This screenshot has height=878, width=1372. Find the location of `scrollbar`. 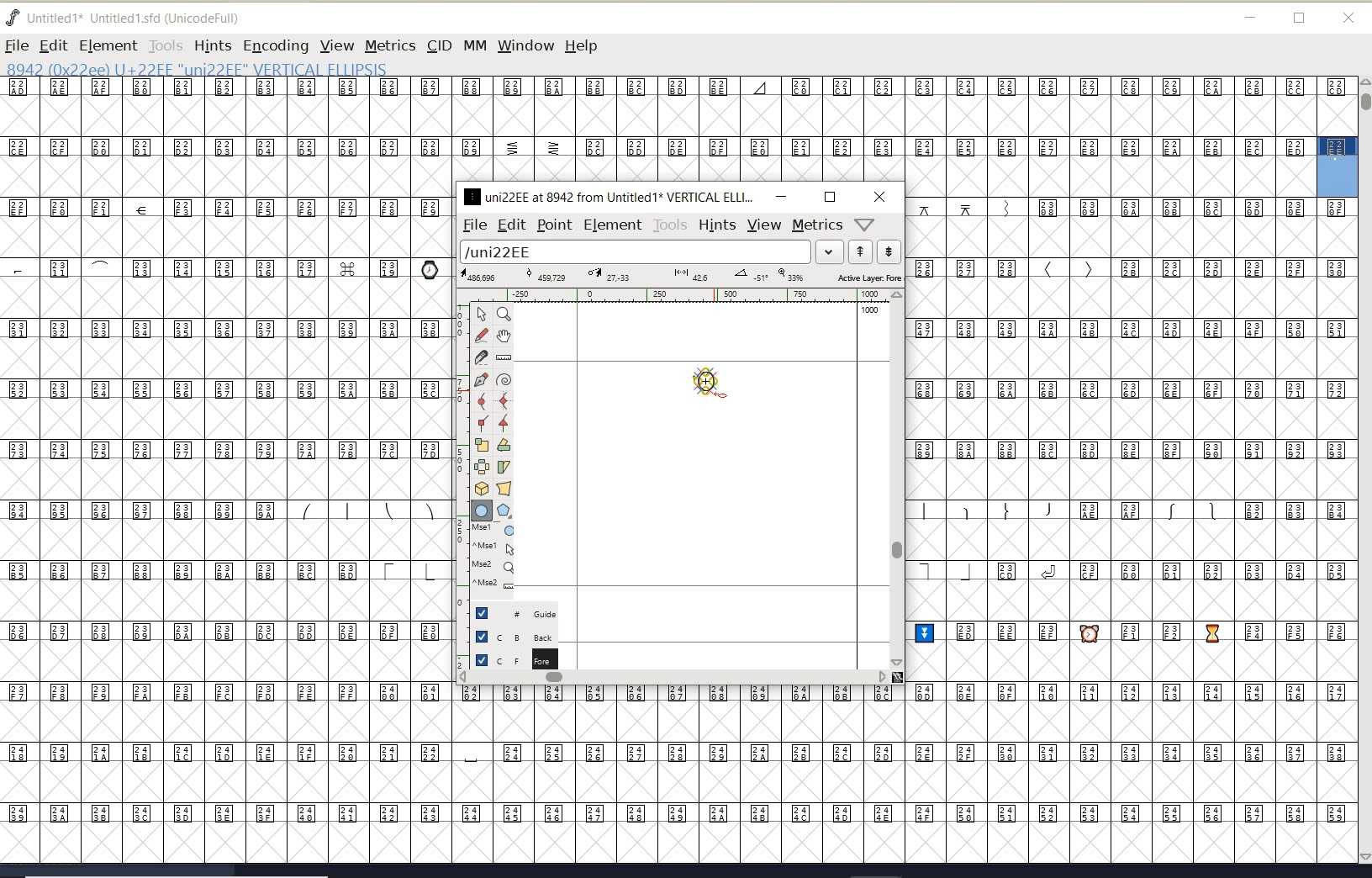

scrollbar is located at coordinates (895, 479).